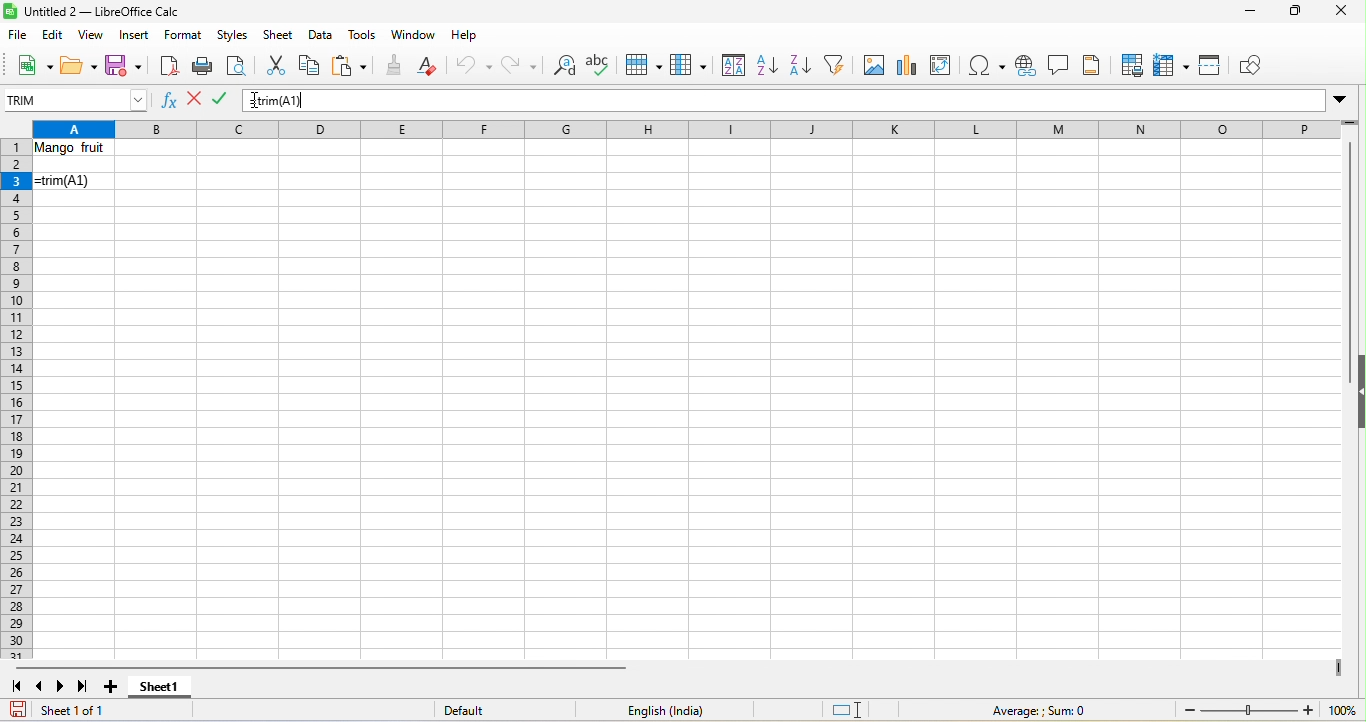  Describe the element at coordinates (1337, 15) in the screenshot. I see `close` at that location.